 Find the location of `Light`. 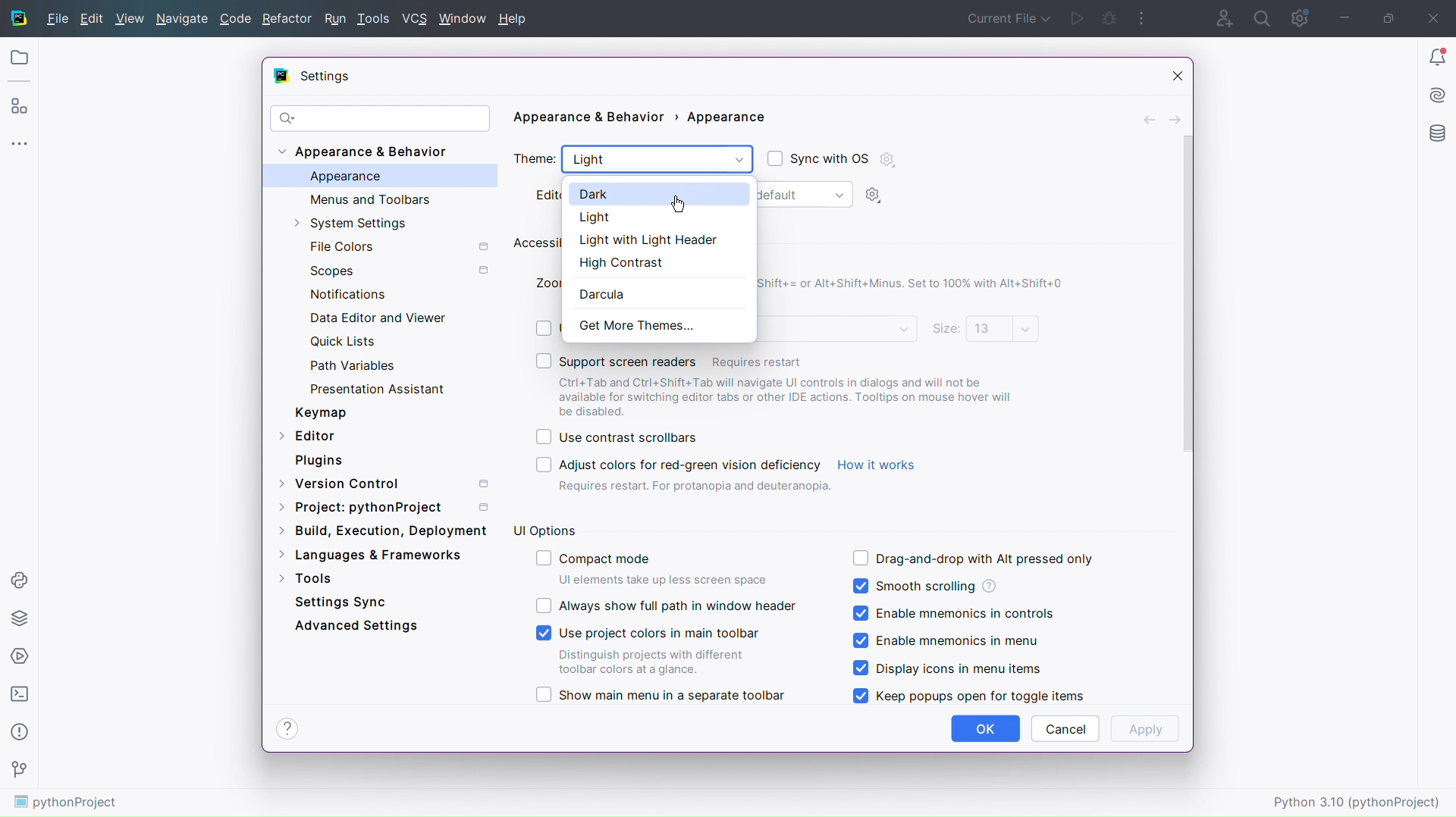

Light is located at coordinates (660, 220).